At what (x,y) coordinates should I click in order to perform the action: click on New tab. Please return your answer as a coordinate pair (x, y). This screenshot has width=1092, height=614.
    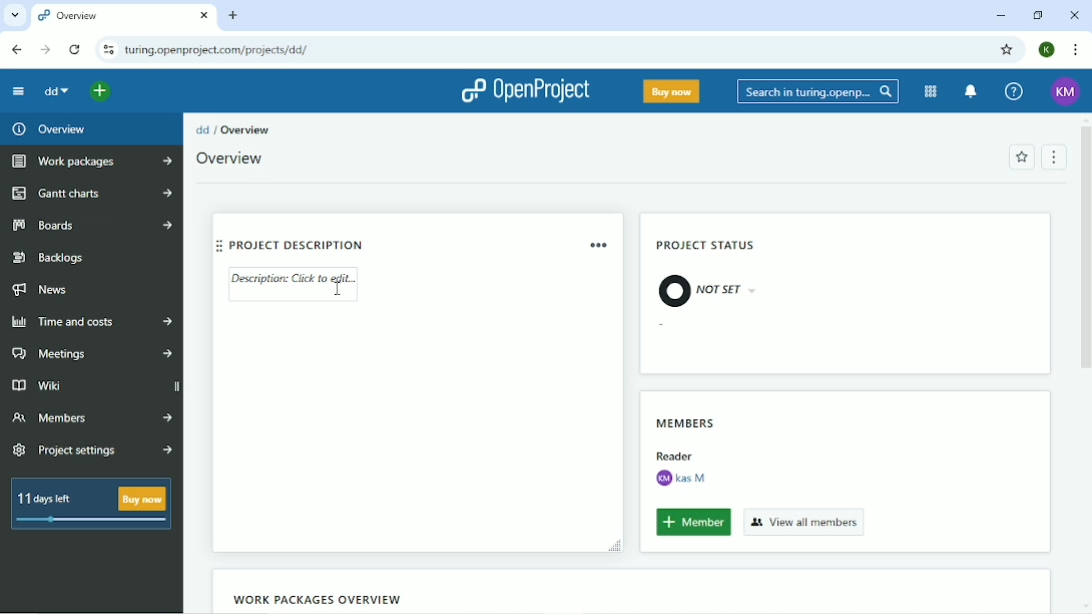
    Looking at the image, I should click on (234, 15).